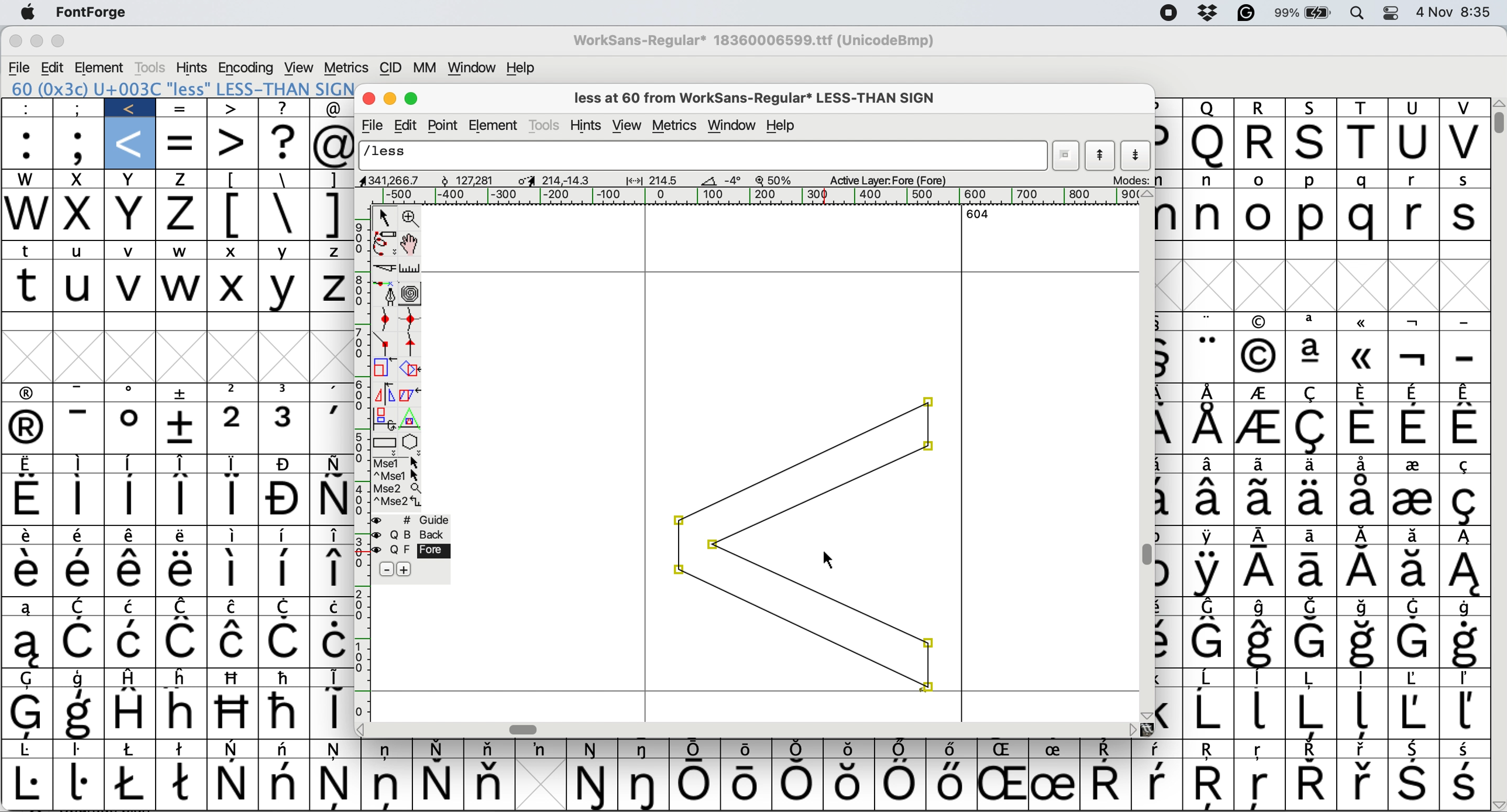  What do you see at coordinates (180, 498) in the screenshot?
I see `Symbol` at bounding box center [180, 498].